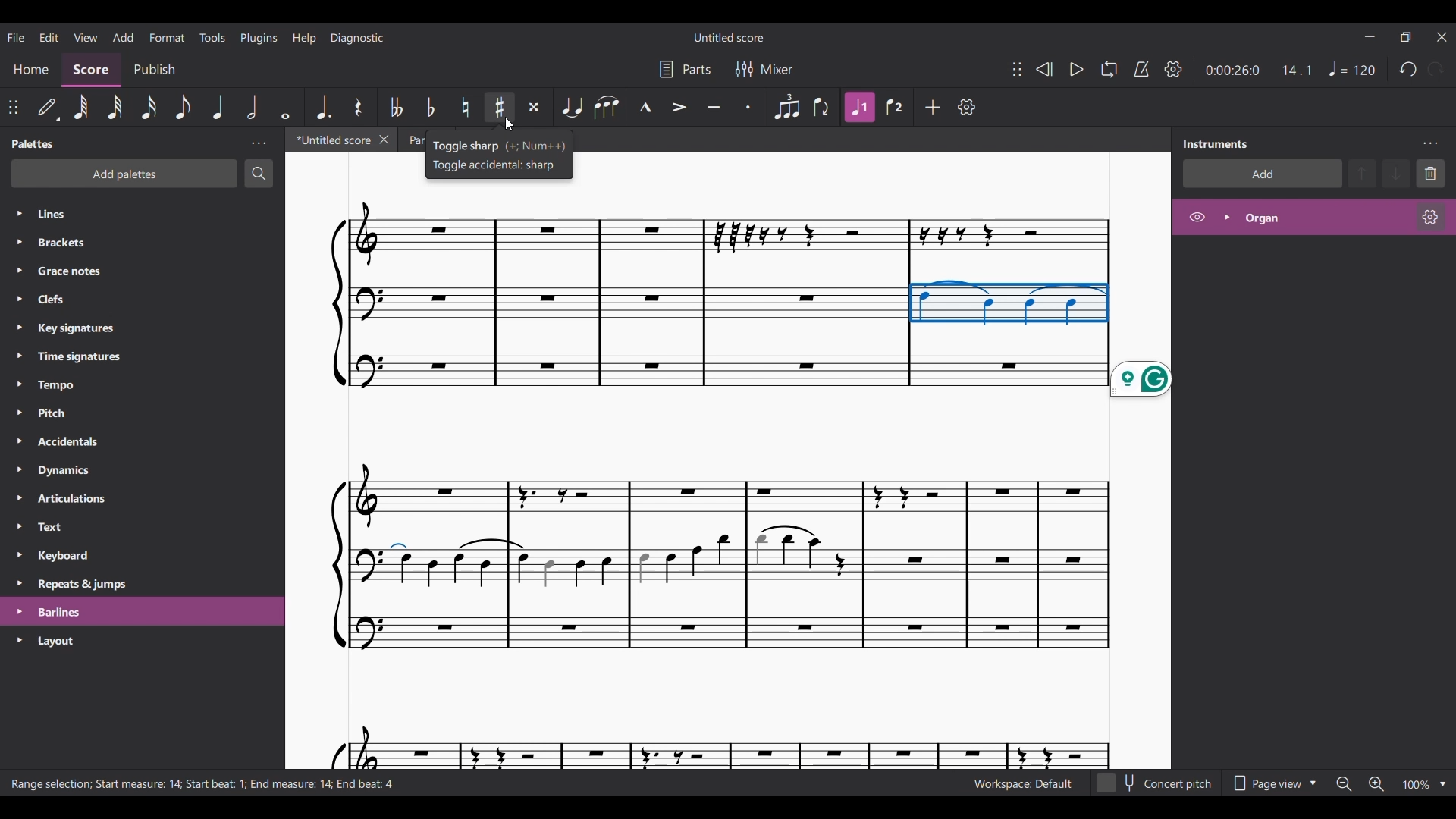 This screenshot has height=819, width=1456. I want to click on Page view options, so click(1270, 783).